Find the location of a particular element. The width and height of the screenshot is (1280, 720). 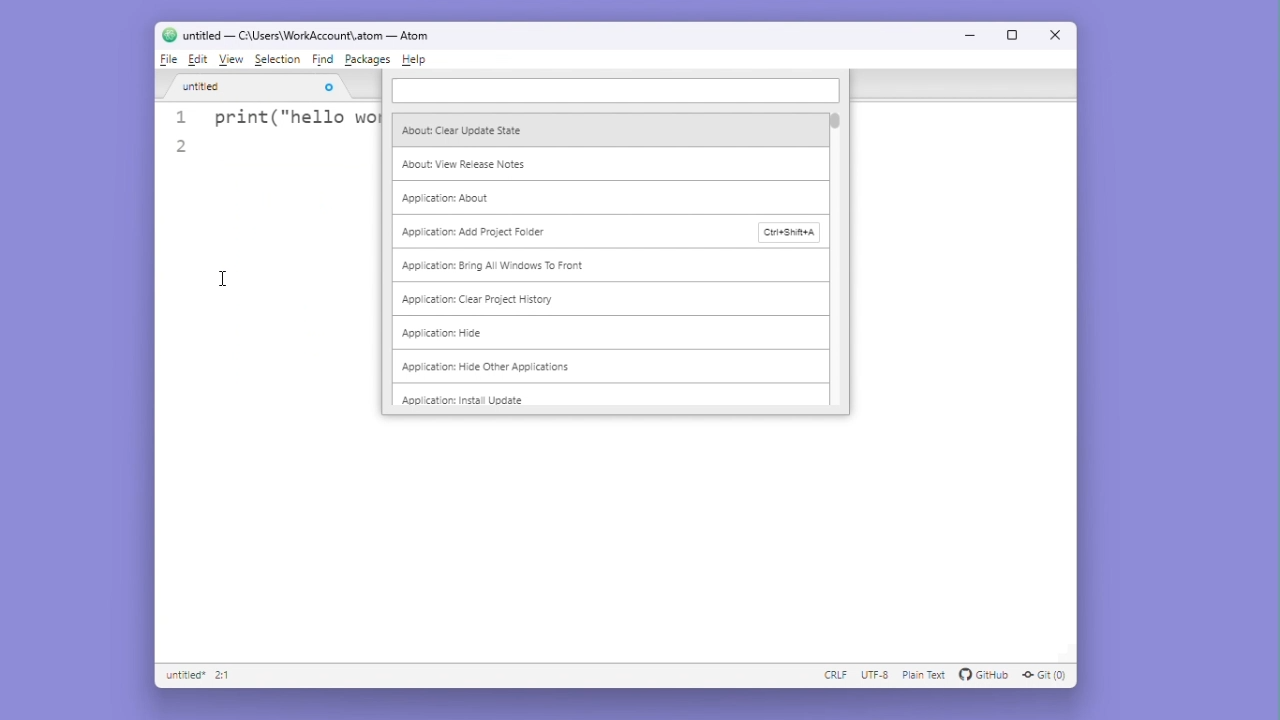

CRLF is located at coordinates (831, 675).